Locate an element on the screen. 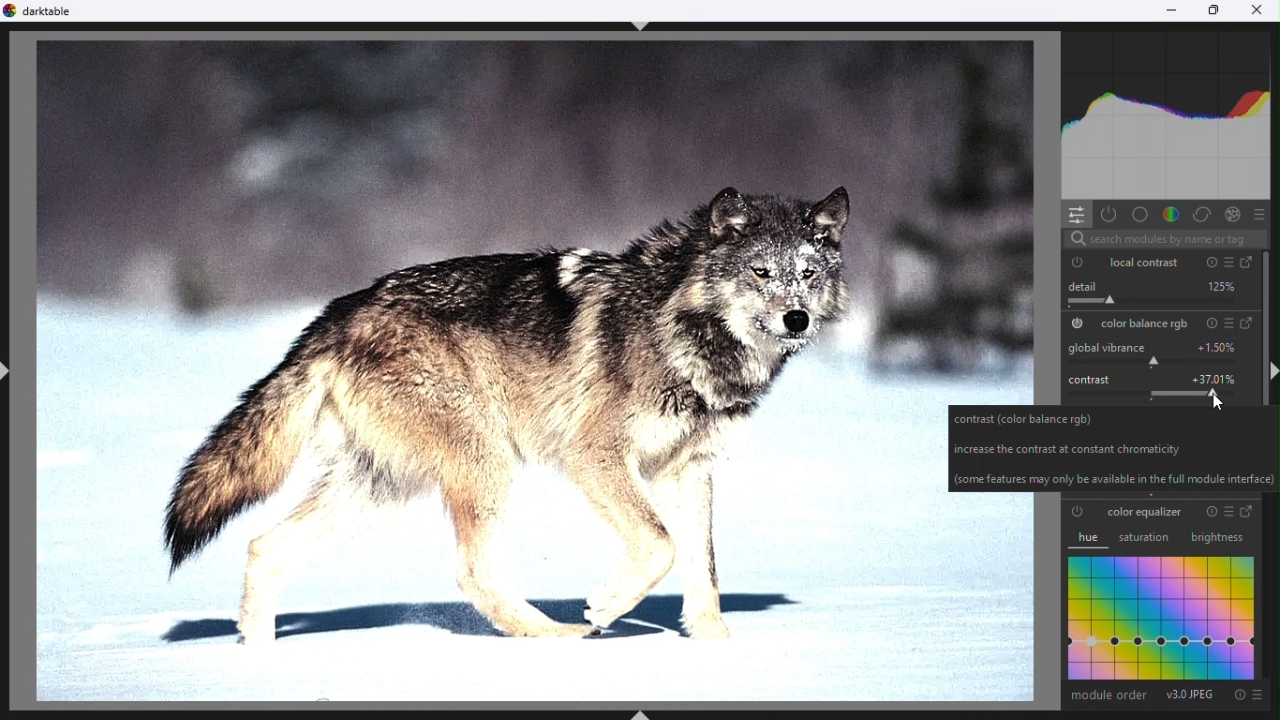 This screenshot has height=720, width=1280. effect is located at coordinates (1232, 213).